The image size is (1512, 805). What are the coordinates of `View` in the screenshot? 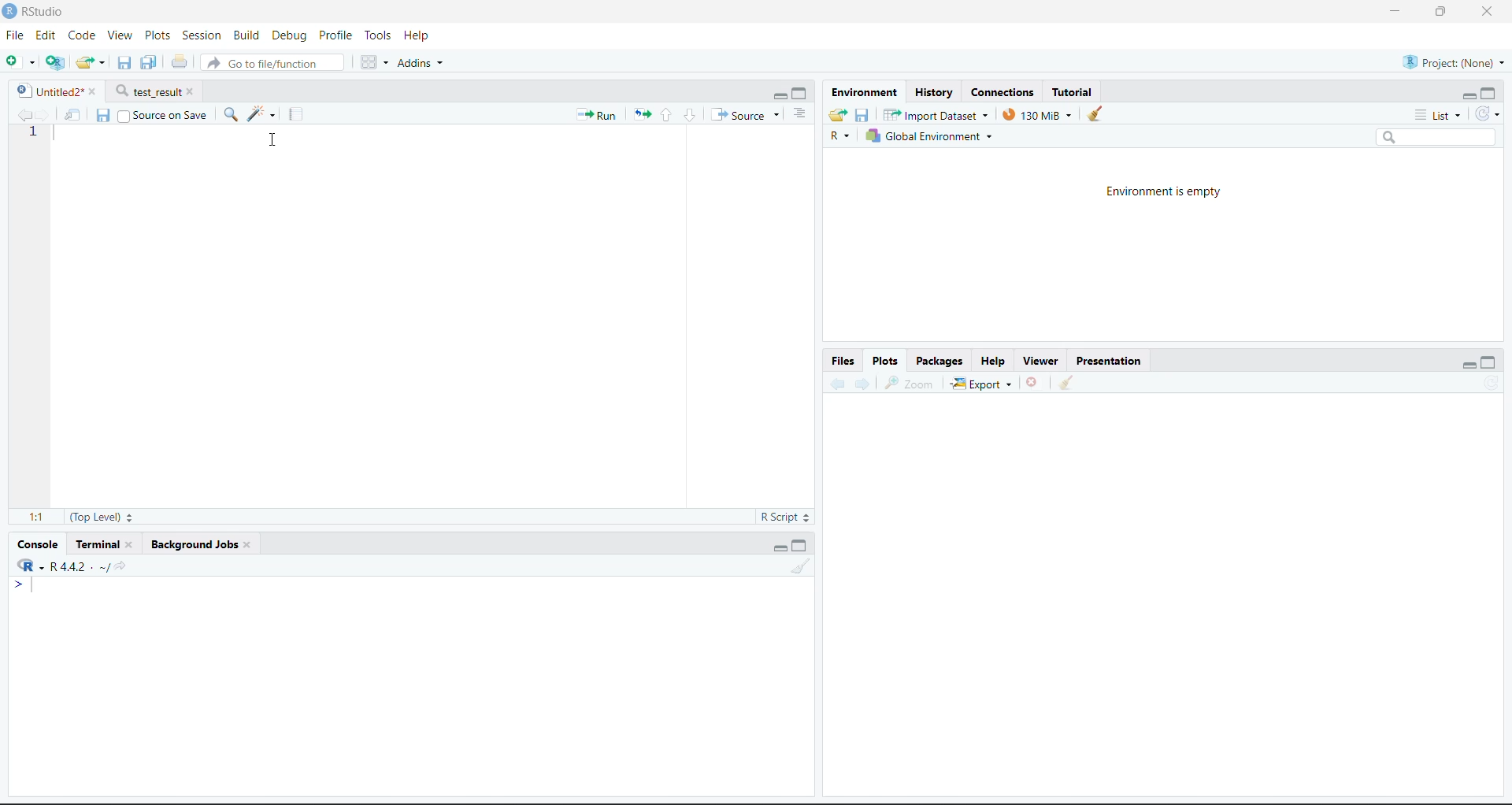 It's located at (117, 34).